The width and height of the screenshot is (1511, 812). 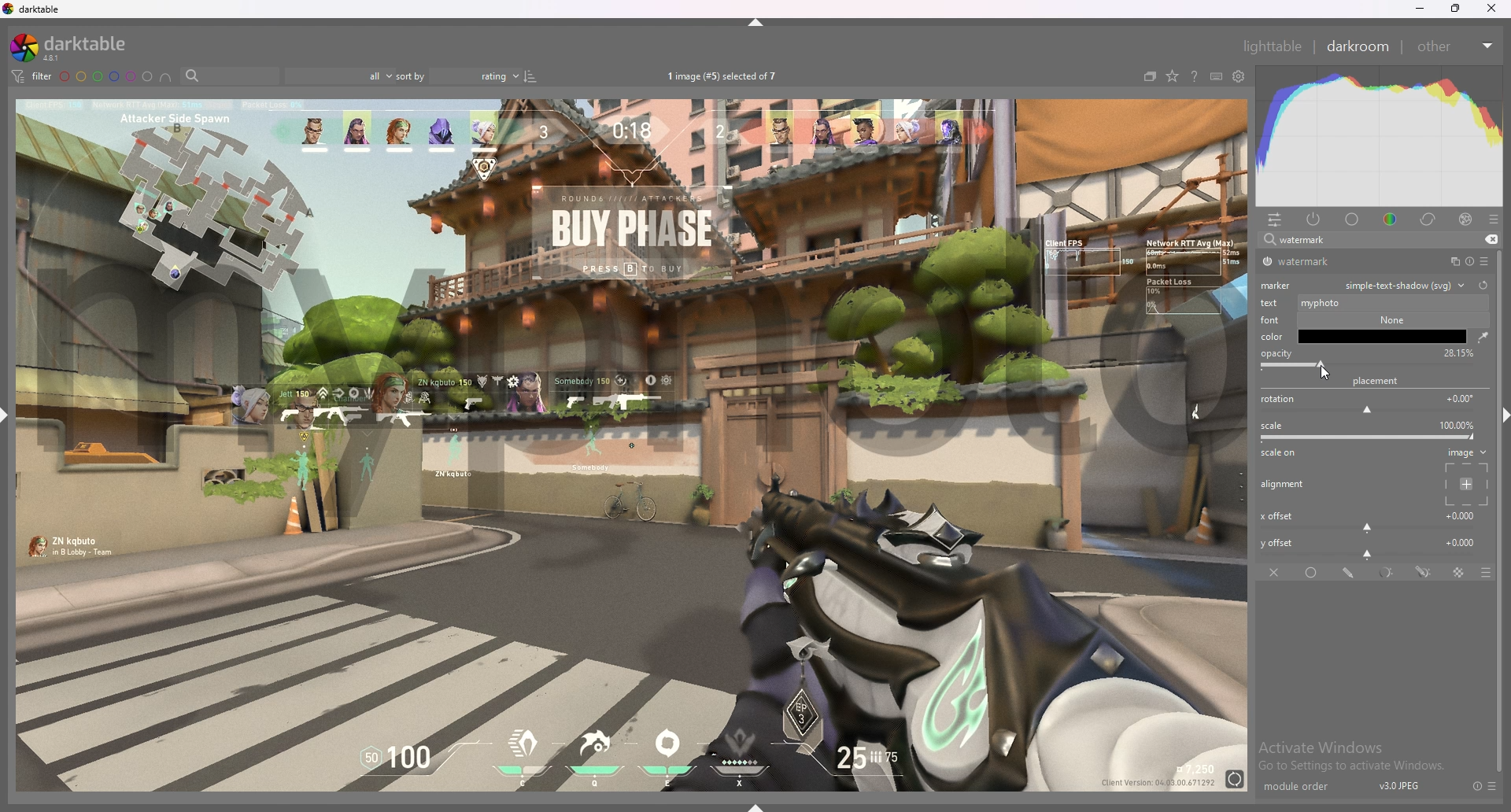 What do you see at coordinates (758, 22) in the screenshot?
I see `hide` at bounding box center [758, 22].